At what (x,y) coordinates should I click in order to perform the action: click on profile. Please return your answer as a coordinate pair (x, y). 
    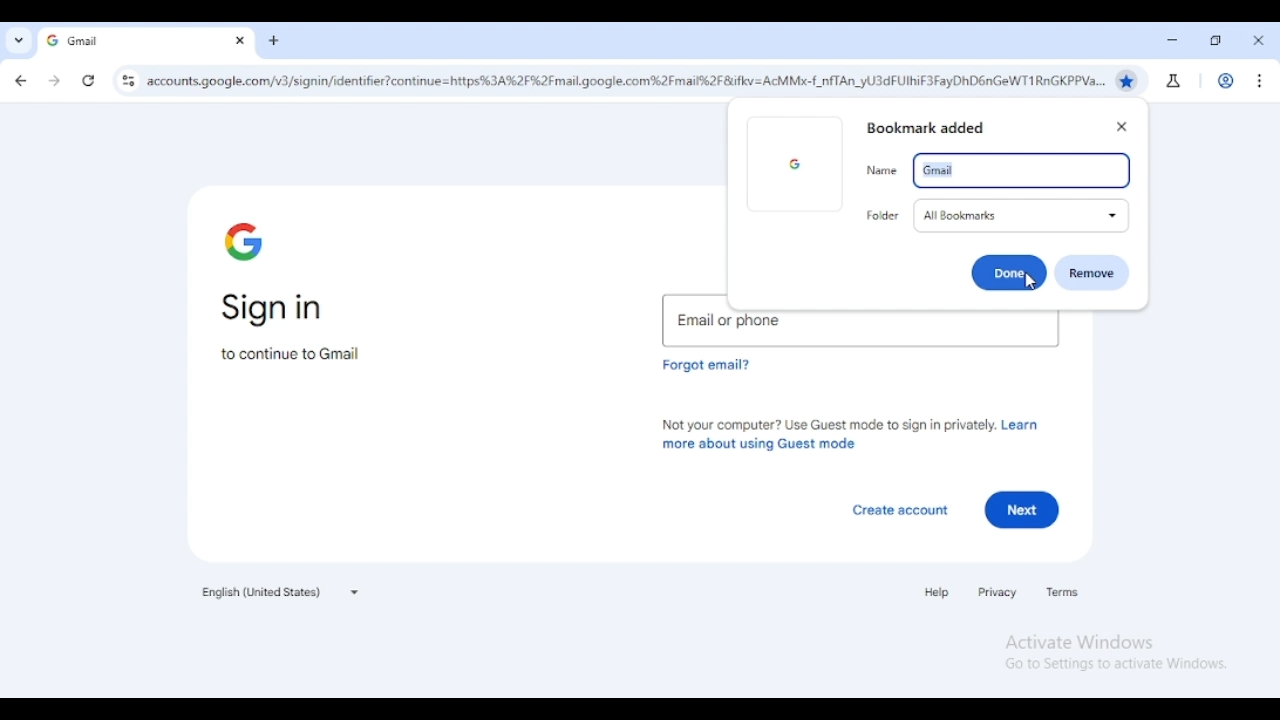
    Looking at the image, I should click on (1226, 81).